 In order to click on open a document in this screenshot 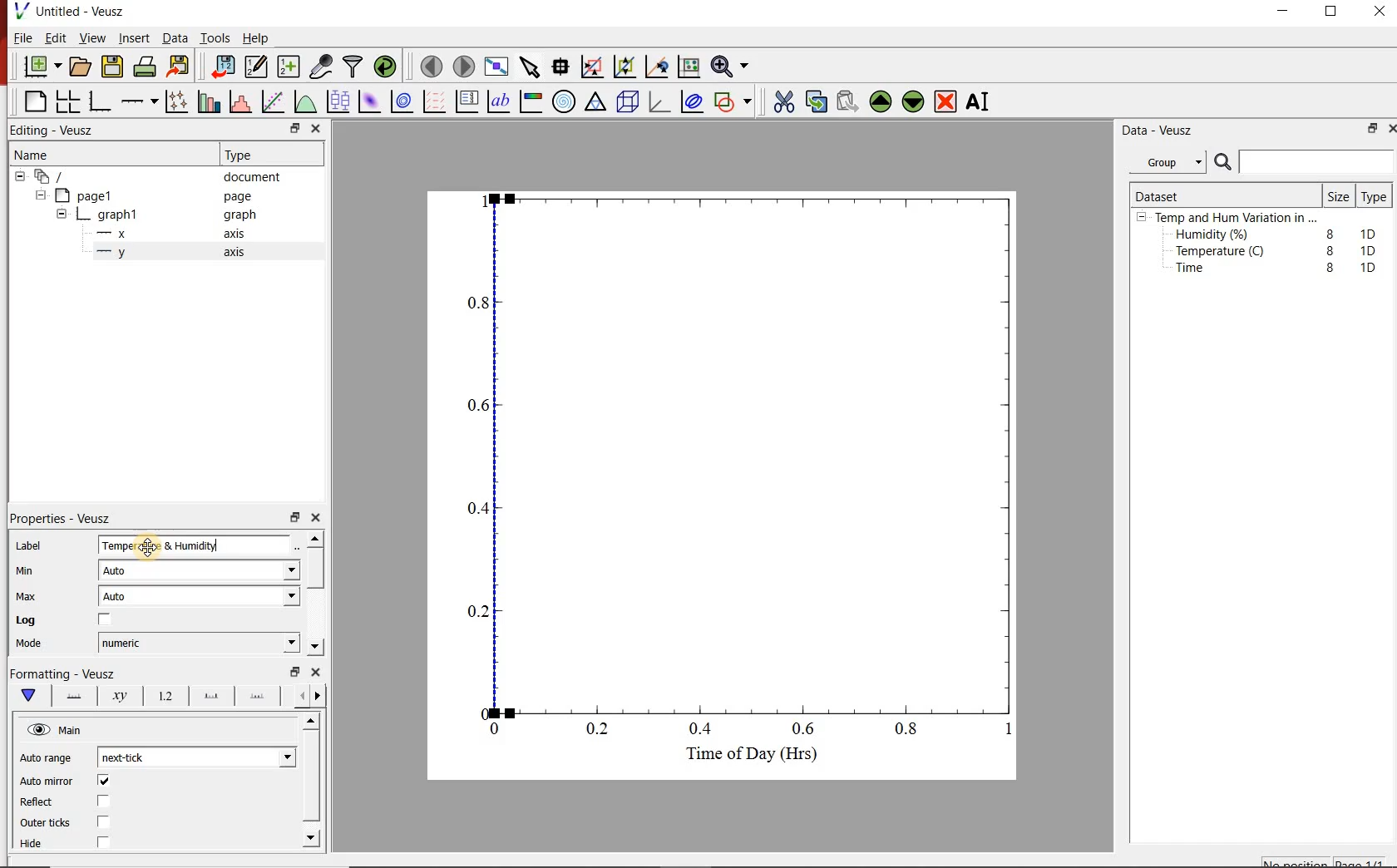, I will do `click(81, 67)`.